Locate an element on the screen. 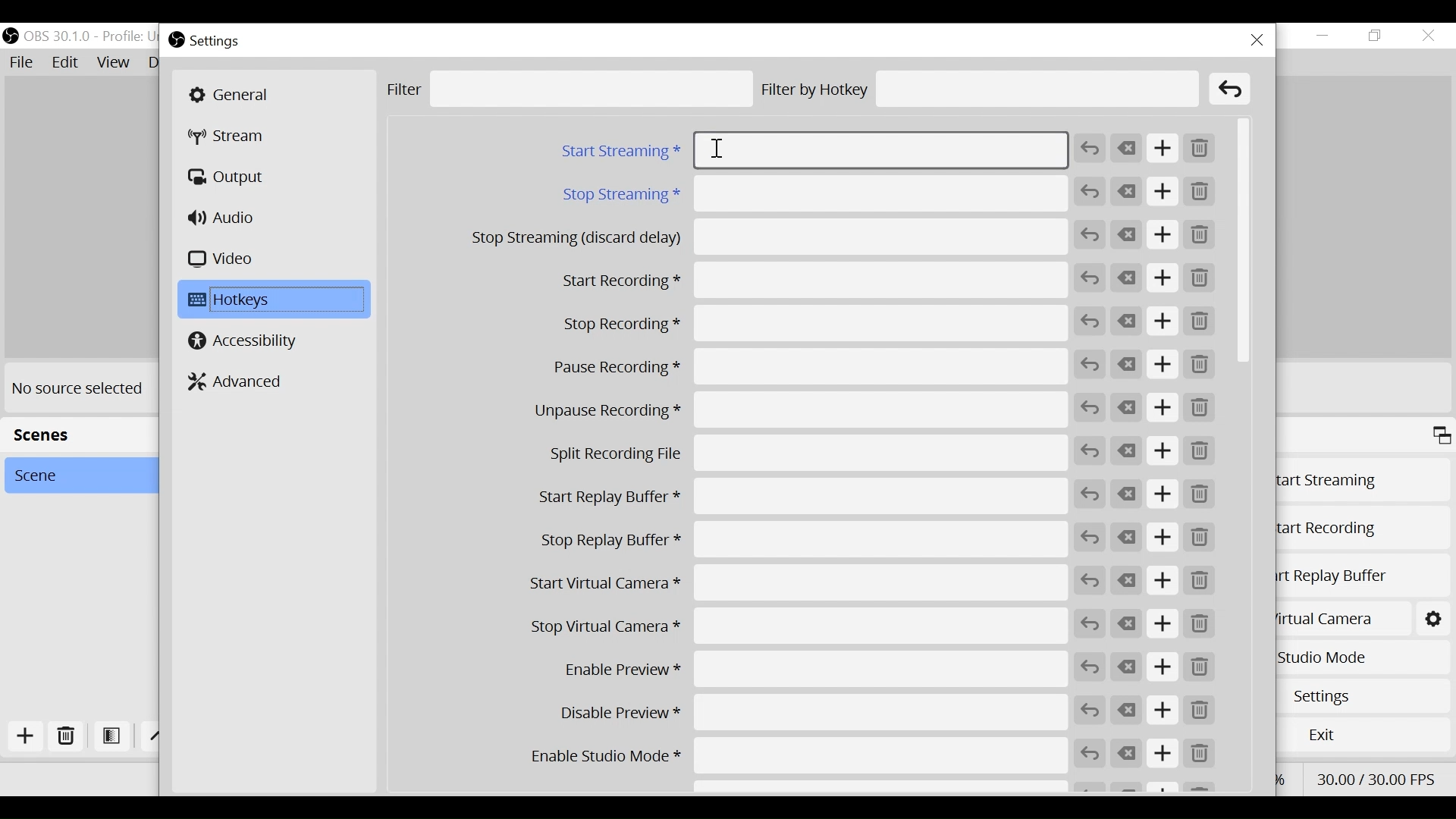 The width and height of the screenshot is (1456, 819). OBS Studio Desktop Icon is located at coordinates (11, 36).